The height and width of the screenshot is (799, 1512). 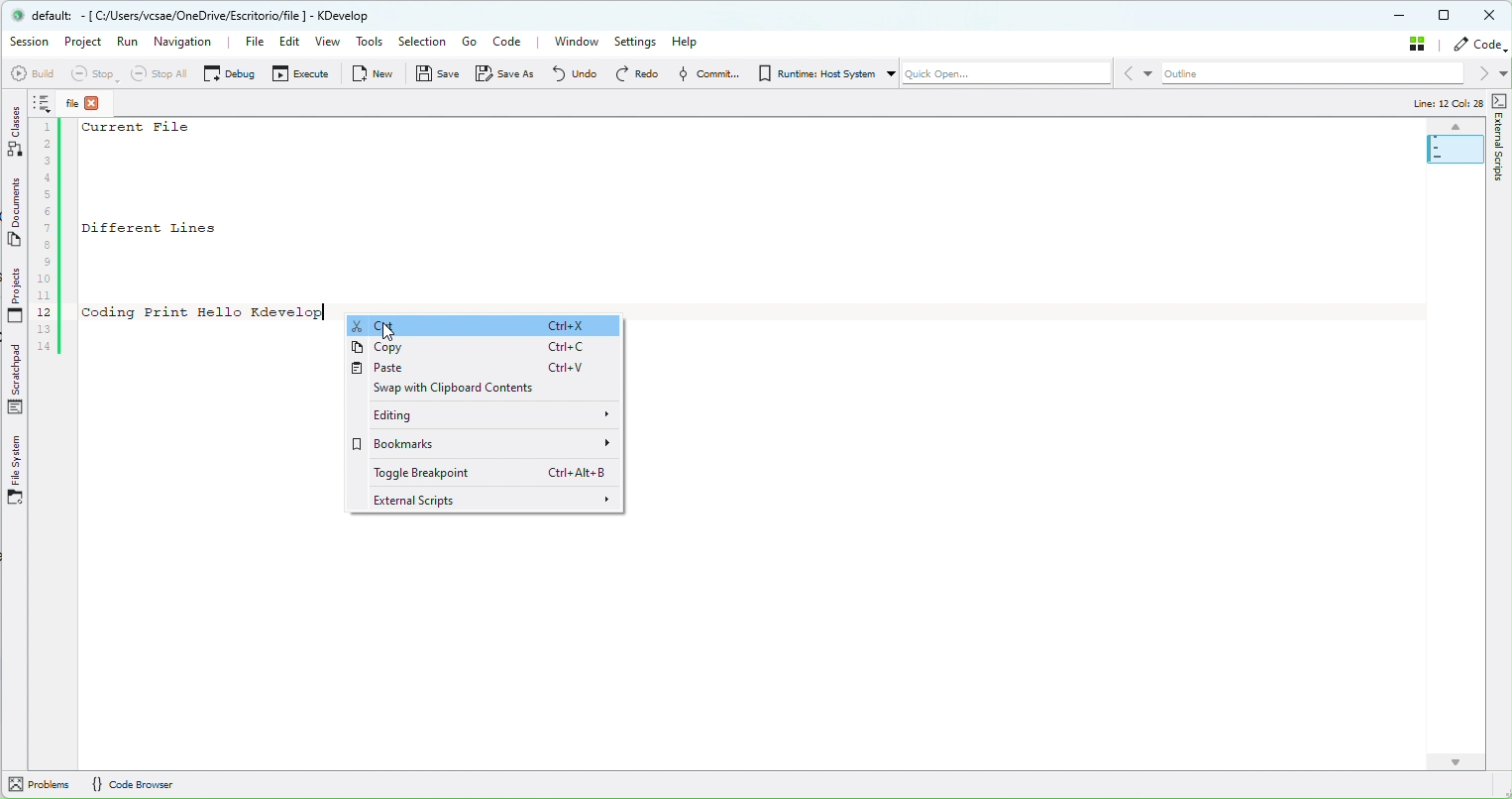 I want to click on Execute me, so click(x=294, y=73).